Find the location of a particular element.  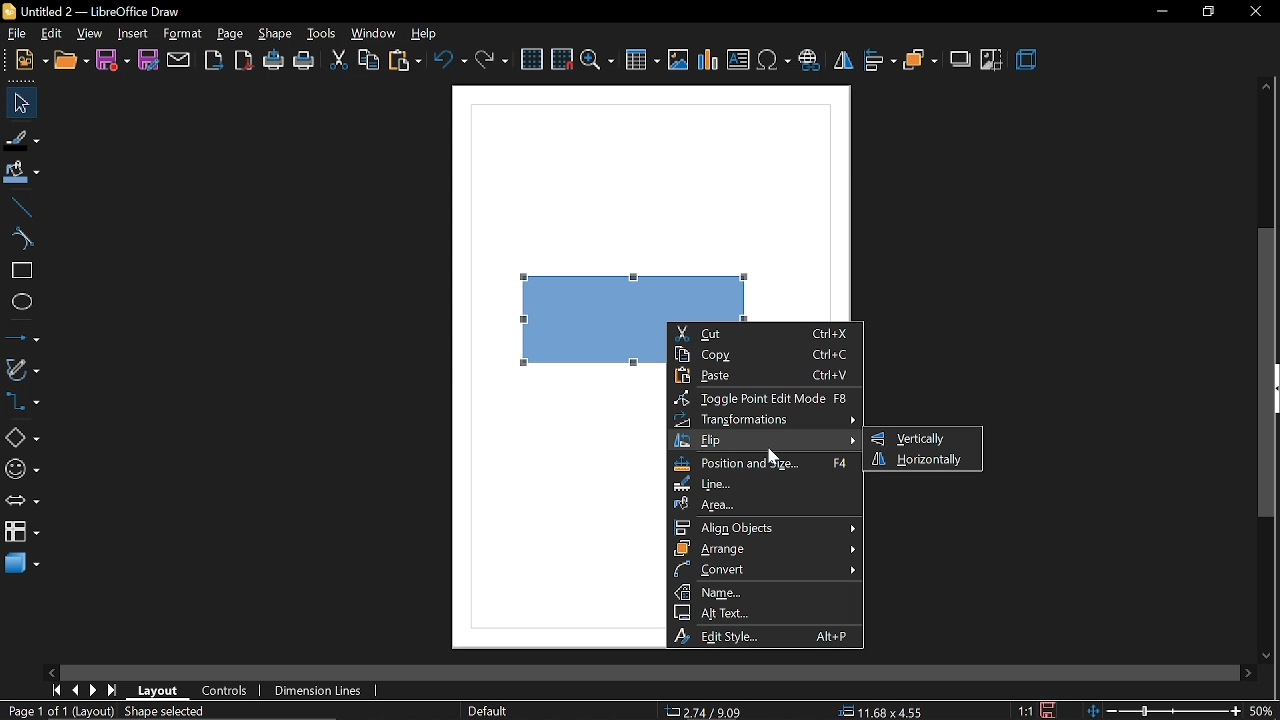

insert hyperlink is located at coordinates (810, 59).